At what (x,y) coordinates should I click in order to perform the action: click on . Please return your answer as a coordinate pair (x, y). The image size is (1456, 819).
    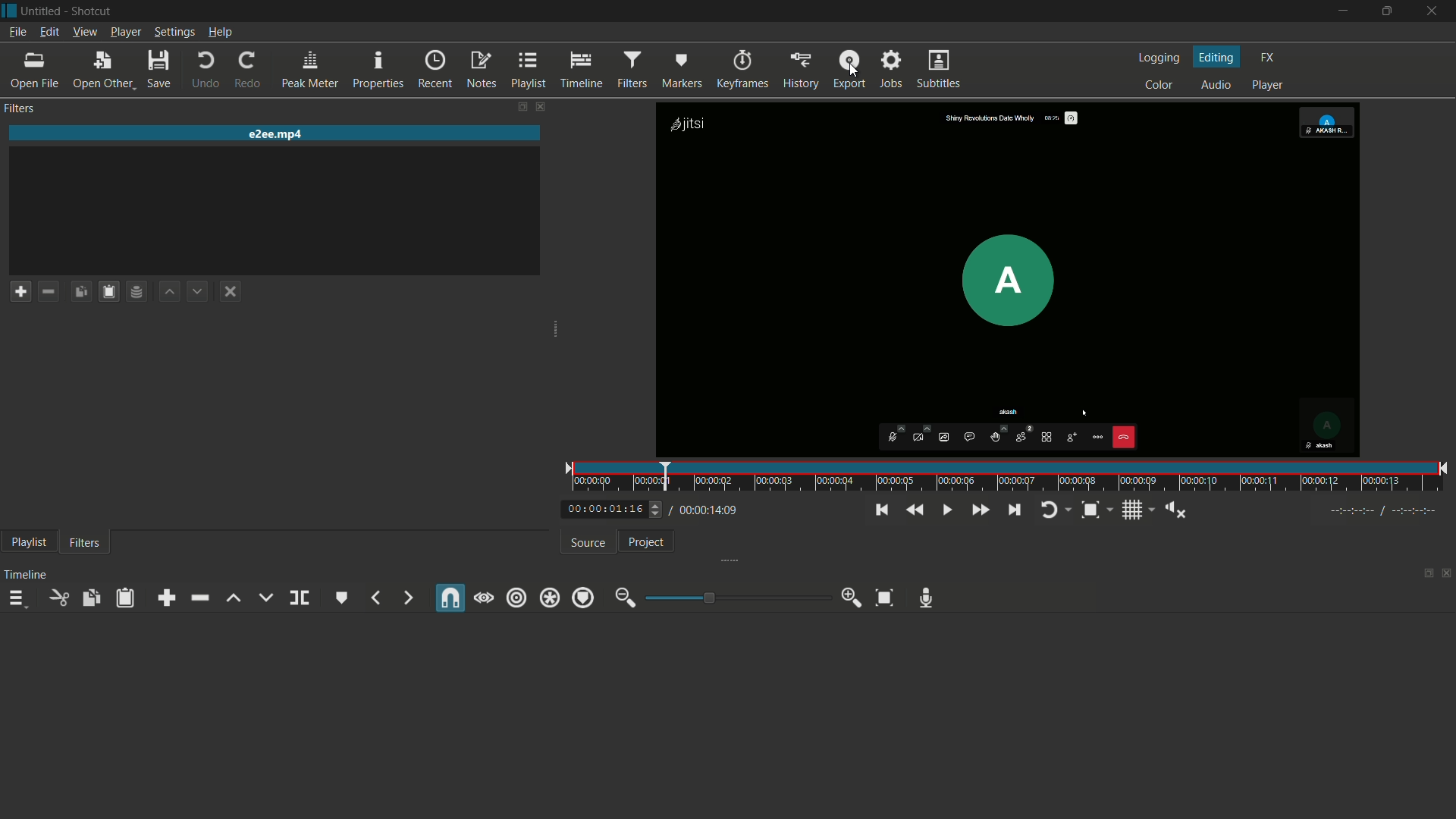
    Looking at the image, I should click on (124, 31).